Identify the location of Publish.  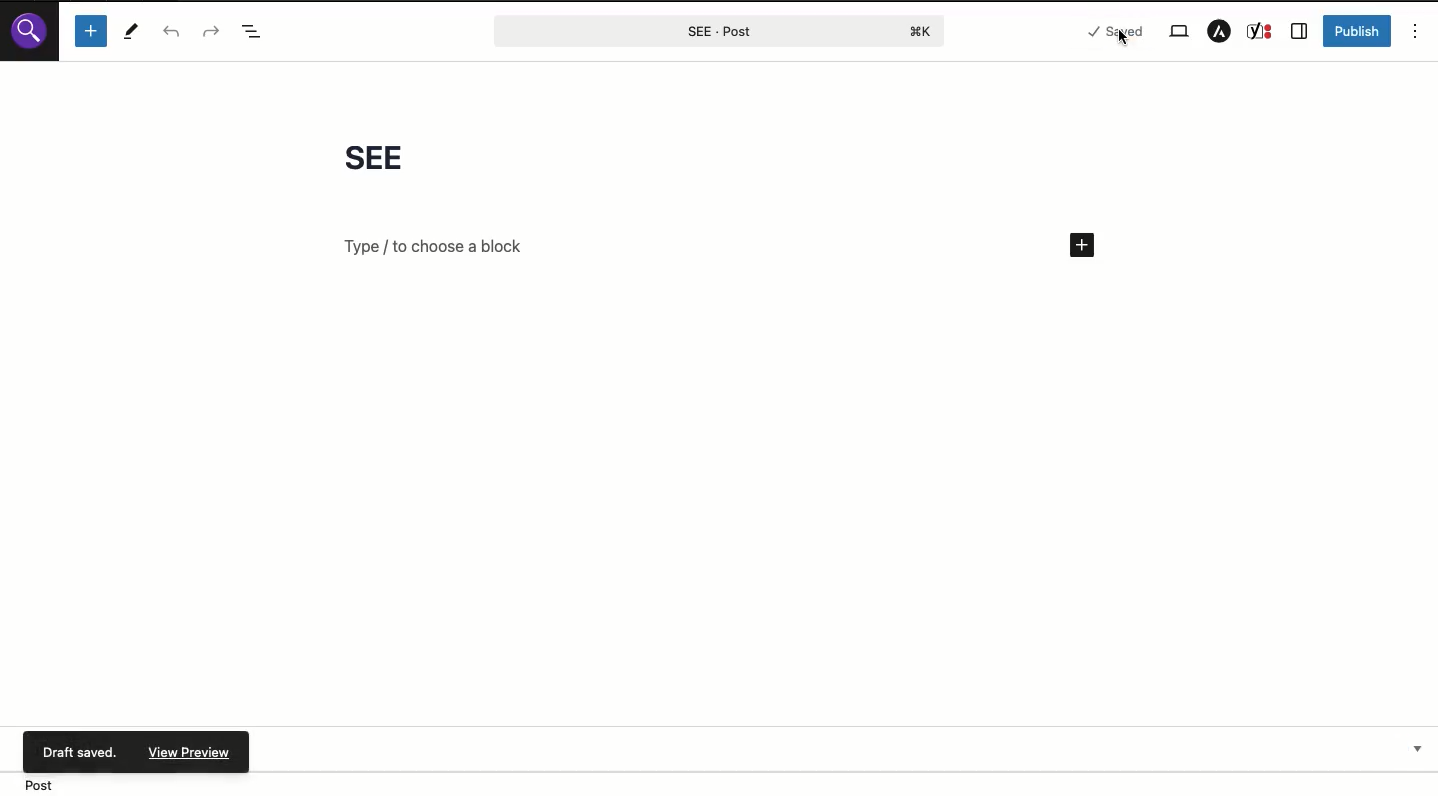
(1357, 31).